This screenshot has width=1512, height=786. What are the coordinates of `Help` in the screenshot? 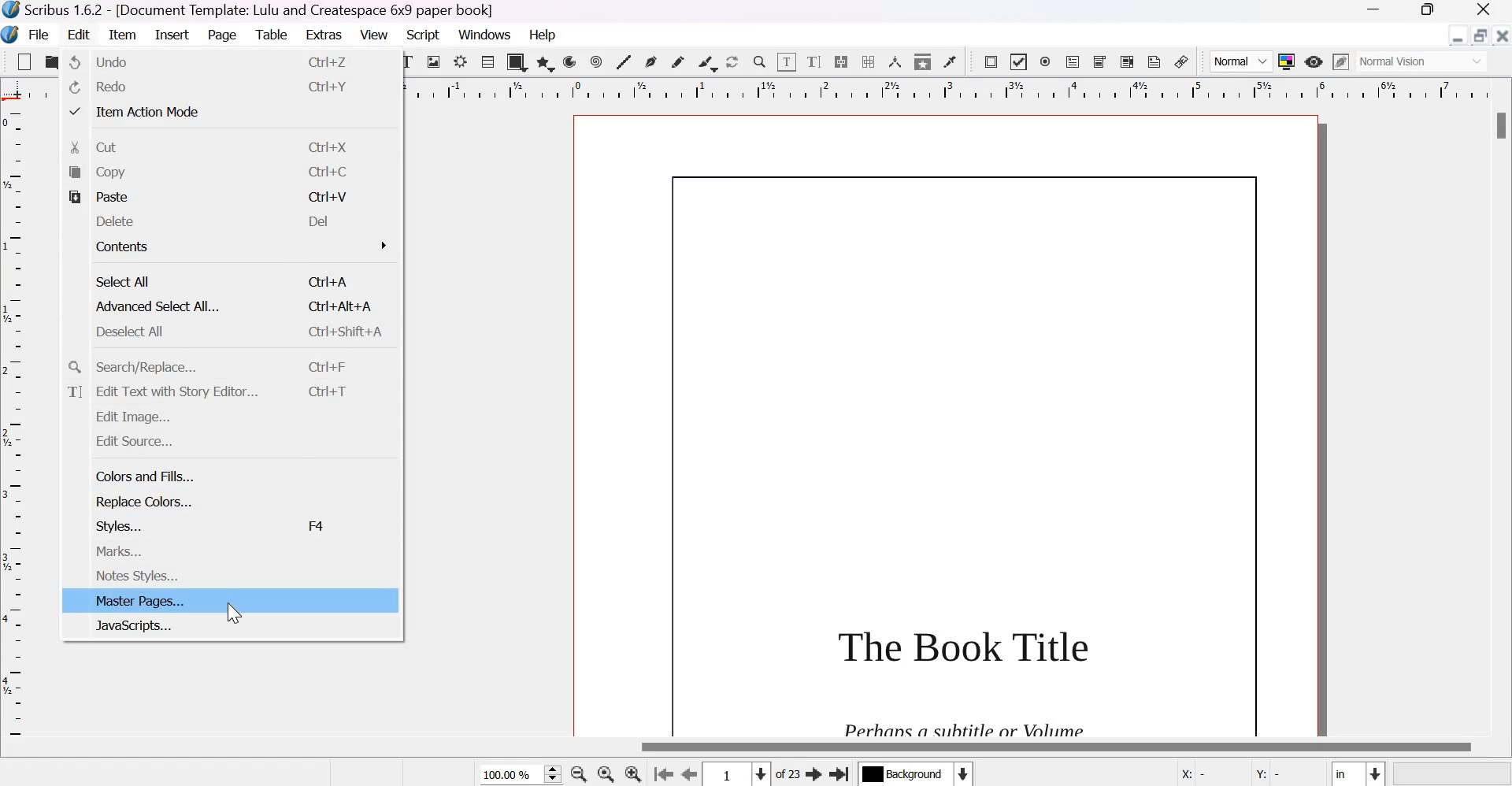 It's located at (544, 34).